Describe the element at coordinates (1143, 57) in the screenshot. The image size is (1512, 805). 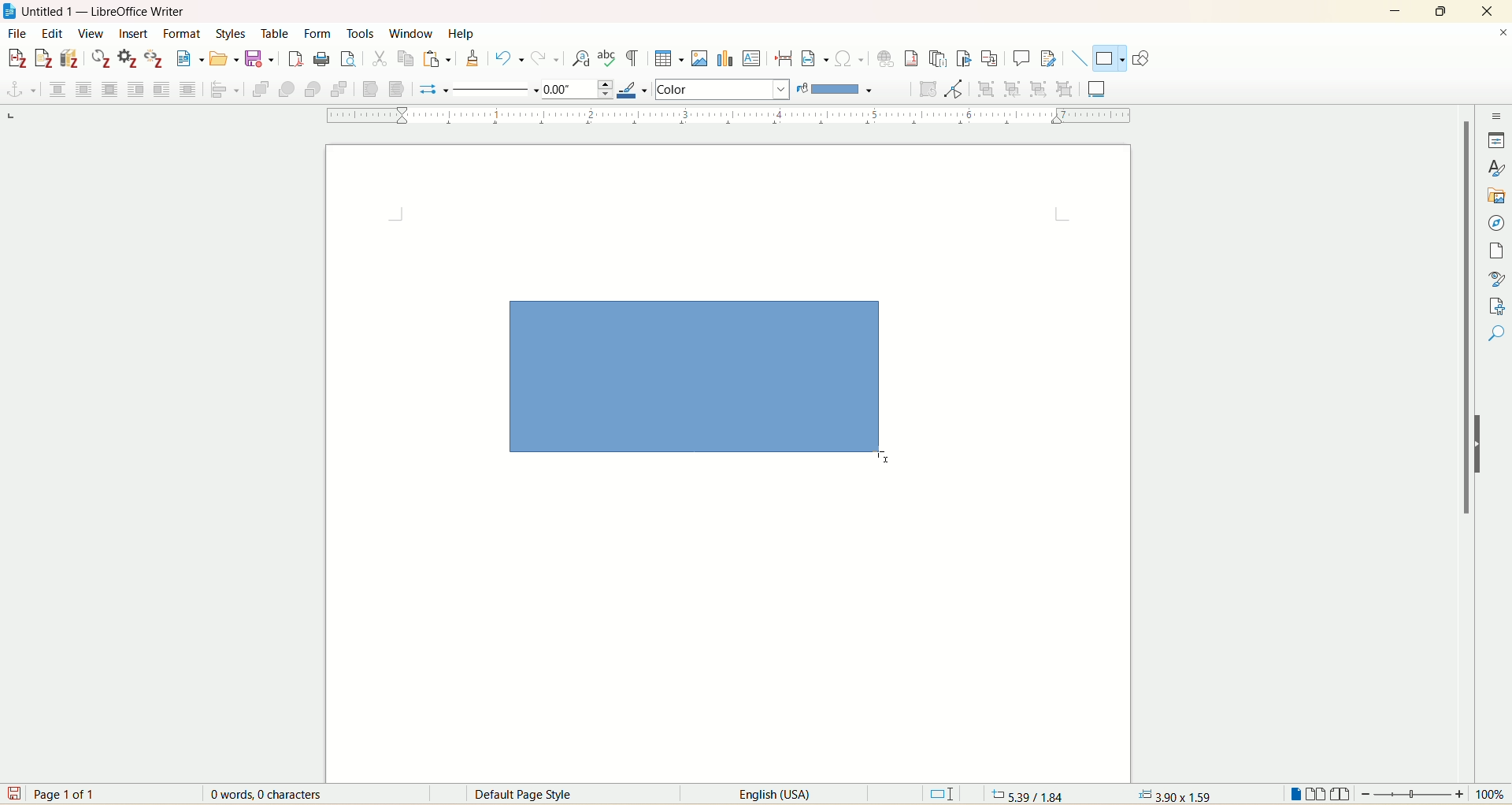
I see `show draw functions` at that location.